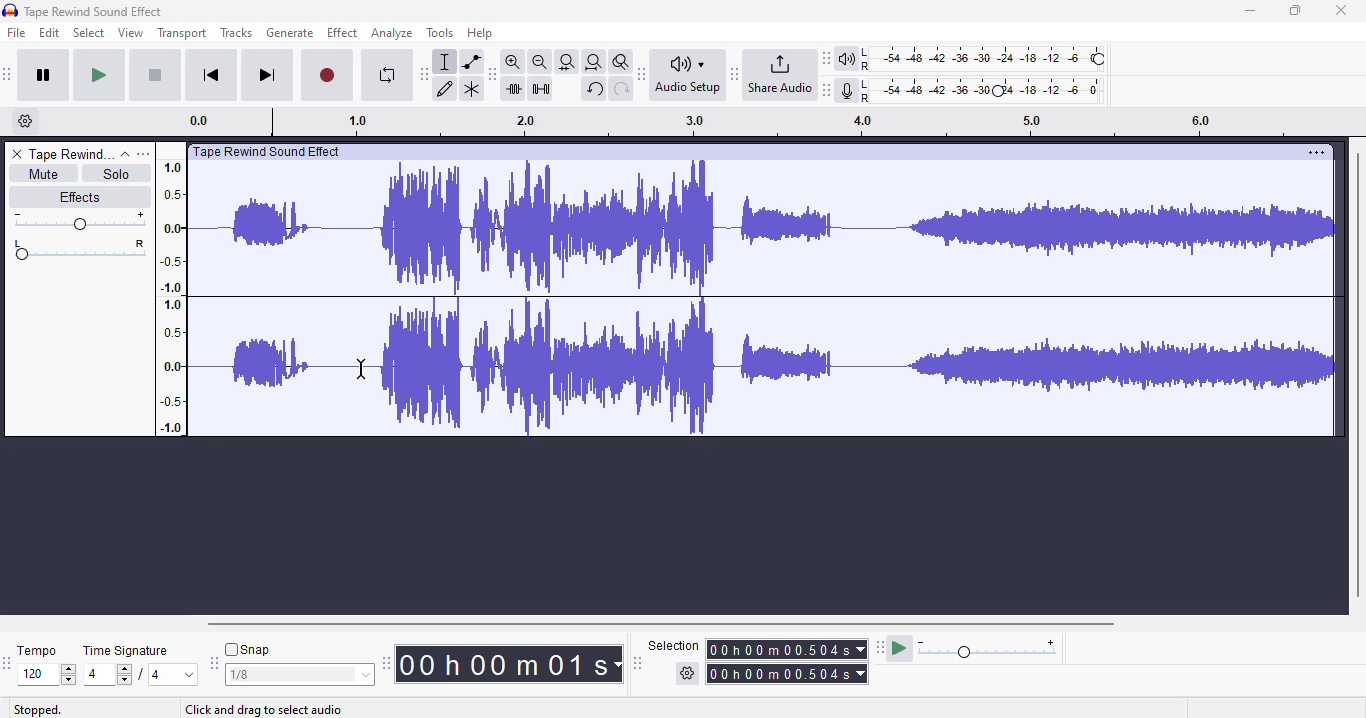  What do you see at coordinates (38, 710) in the screenshot?
I see `stopped` at bounding box center [38, 710].